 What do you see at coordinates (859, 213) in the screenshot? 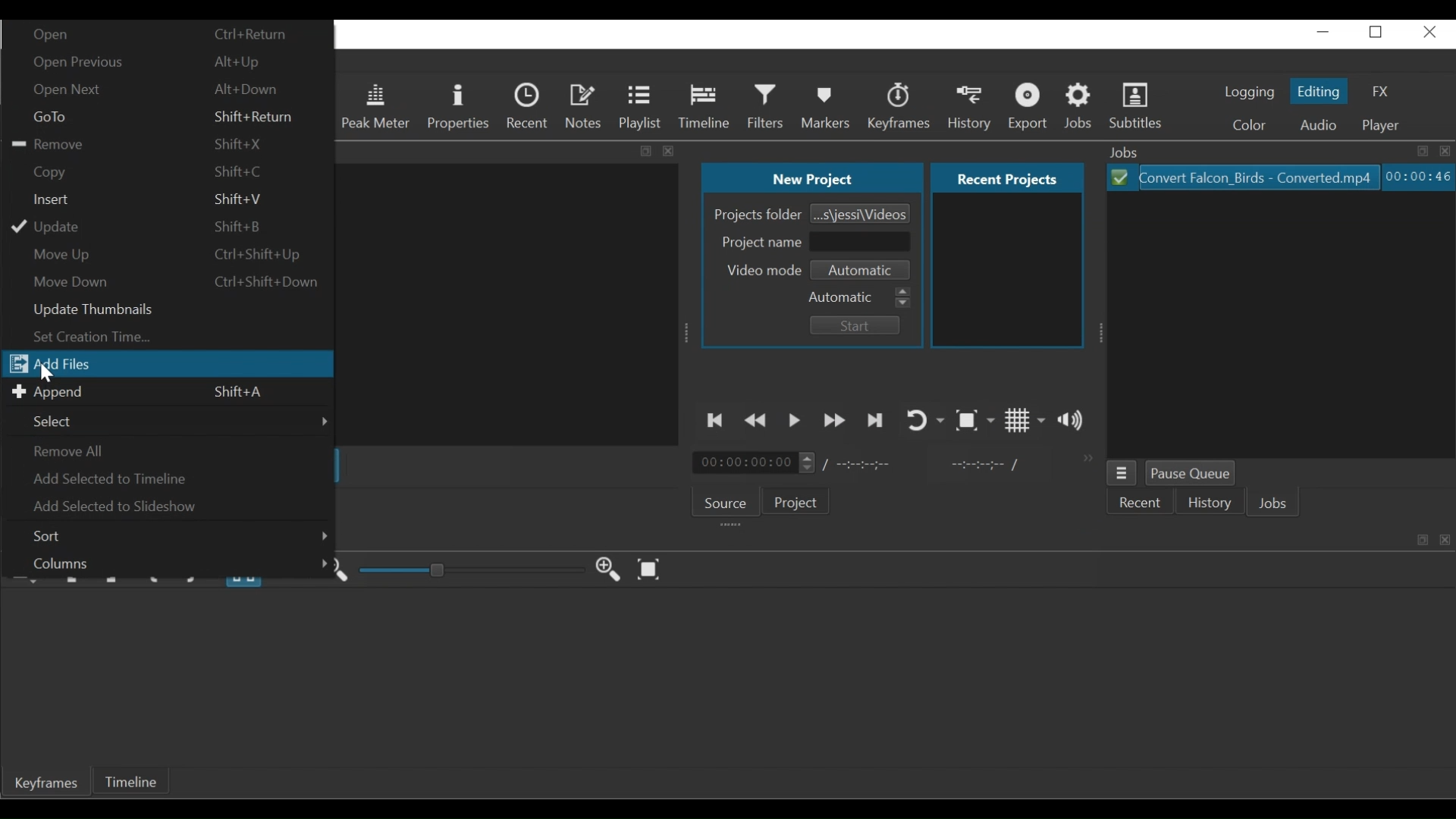
I see `Browse Project Folder` at bounding box center [859, 213].